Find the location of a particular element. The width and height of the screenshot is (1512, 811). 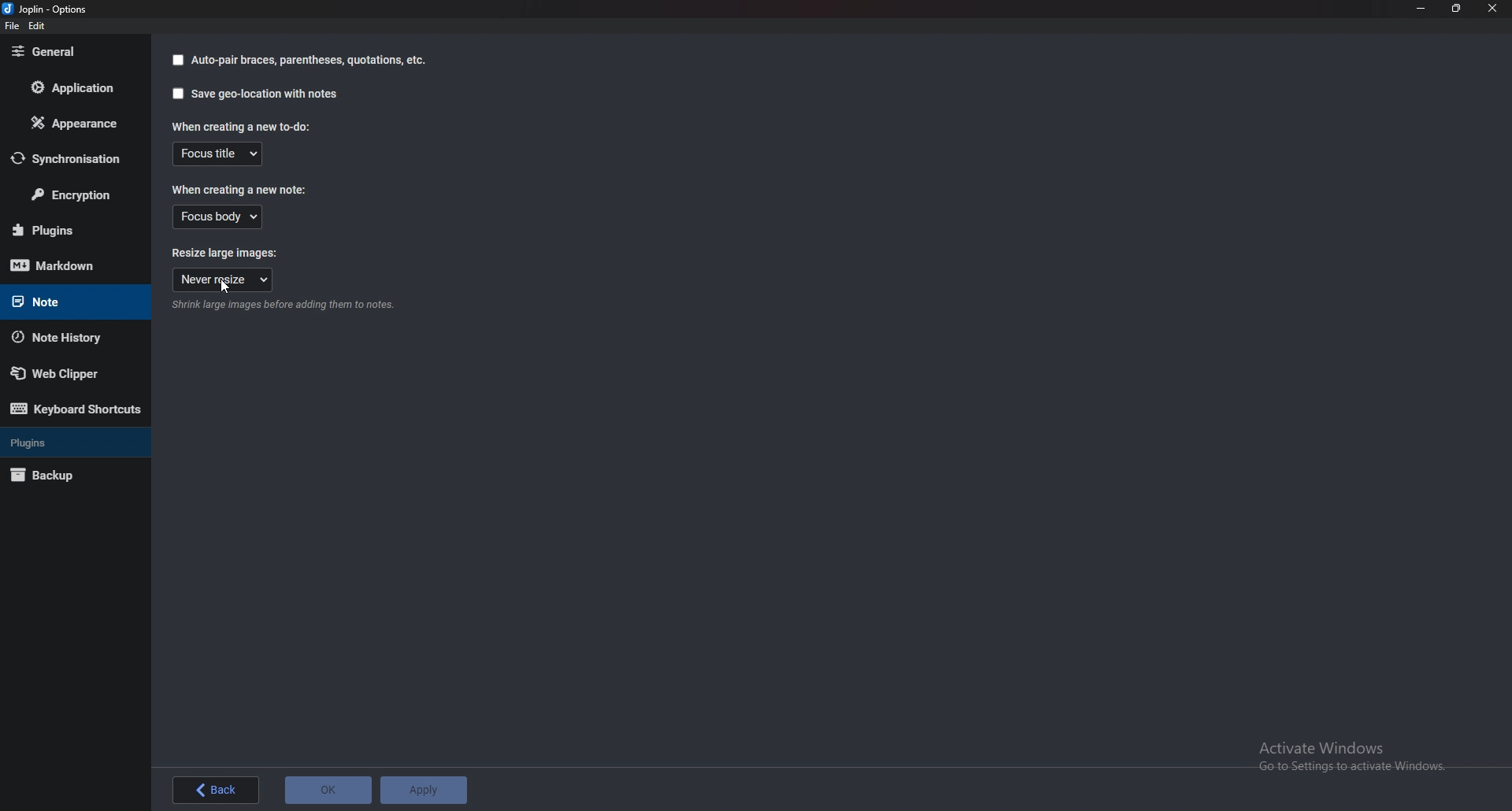

File is located at coordinates (13, 25).